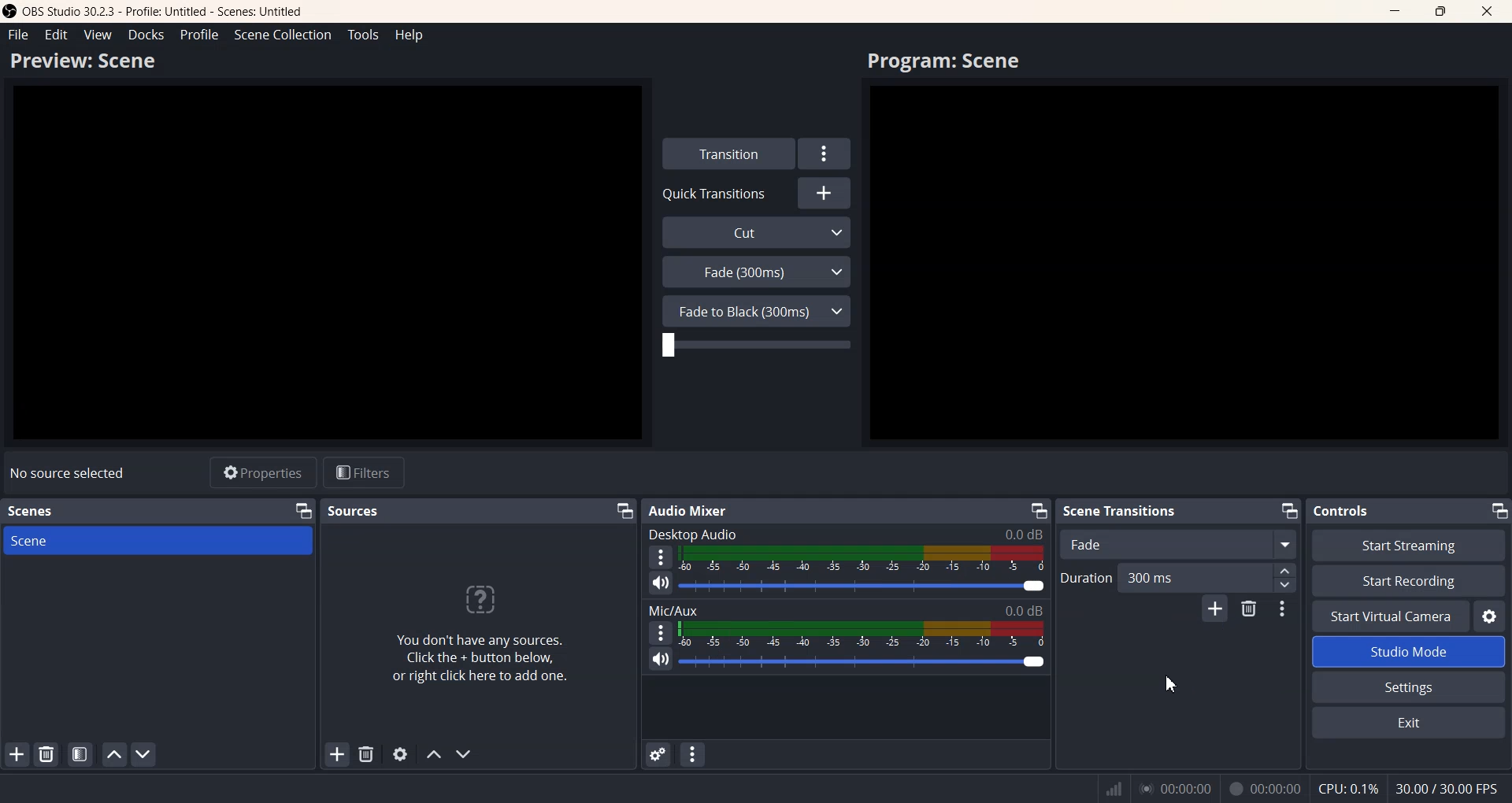  I want to click on Controls, so click(1376, 510).